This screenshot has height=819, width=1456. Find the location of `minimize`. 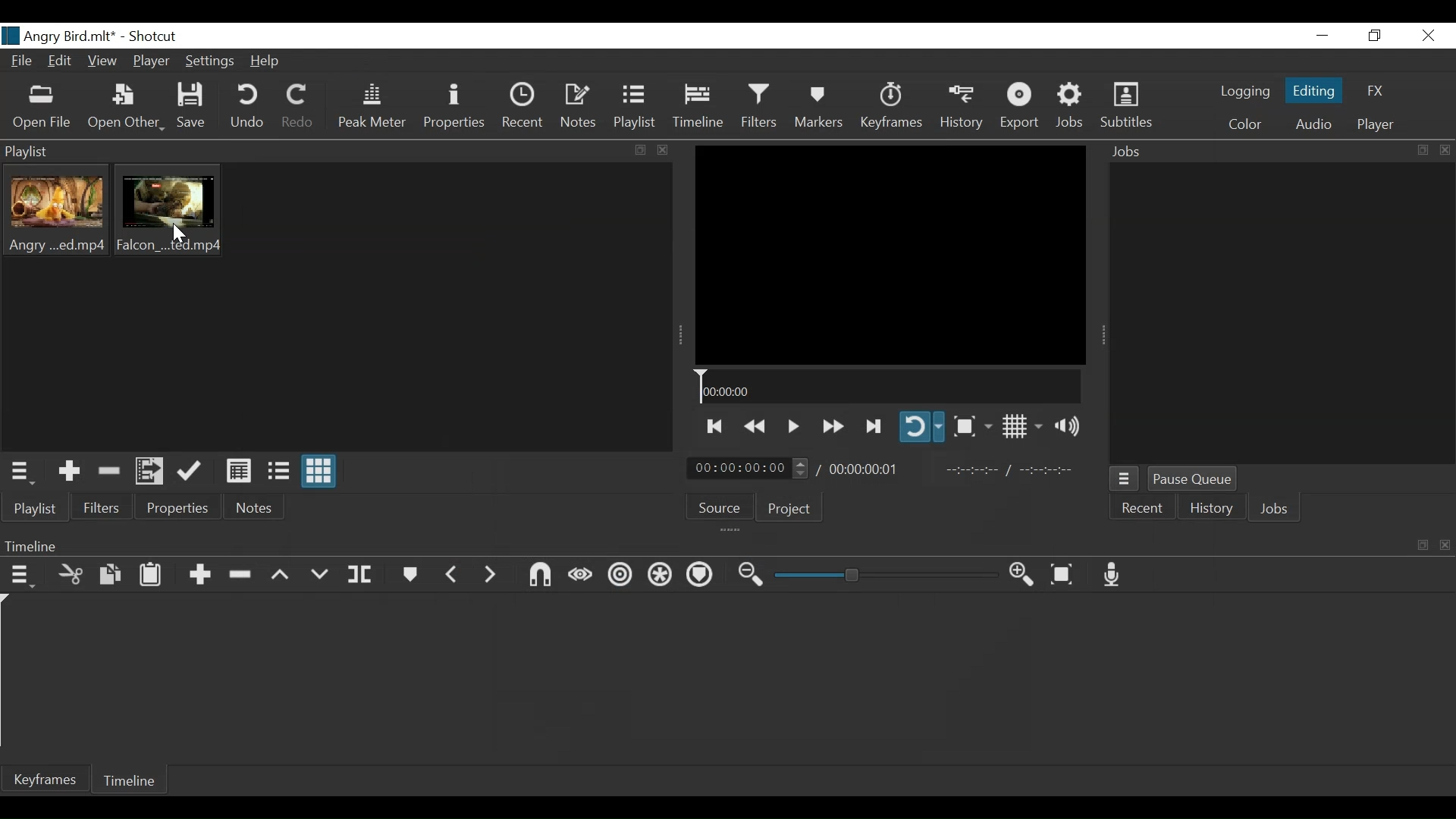

minimize is located at coordinates (1322, 36).